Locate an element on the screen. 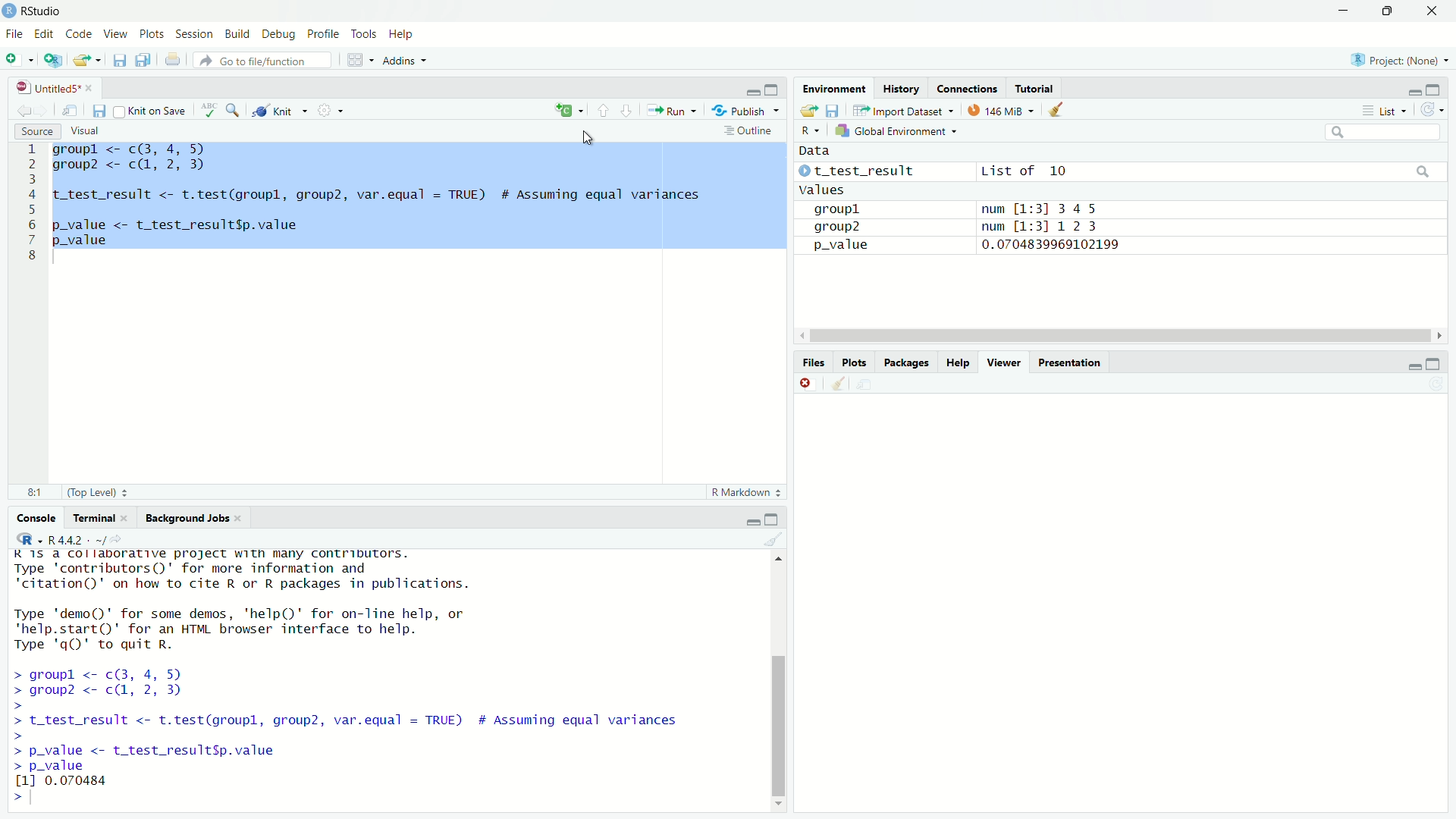  maximise is located at coordinates (775, 519).